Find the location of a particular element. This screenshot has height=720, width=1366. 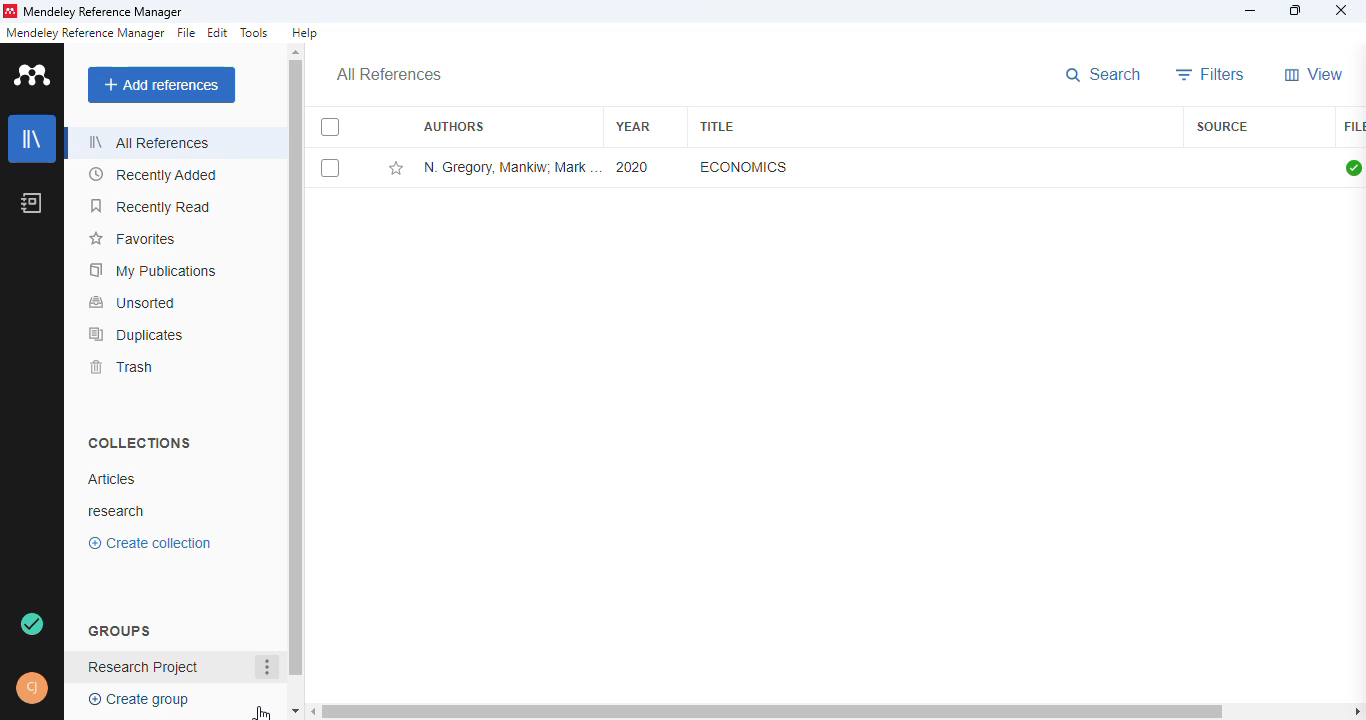

duplicates is located at coordinates (138, 335).